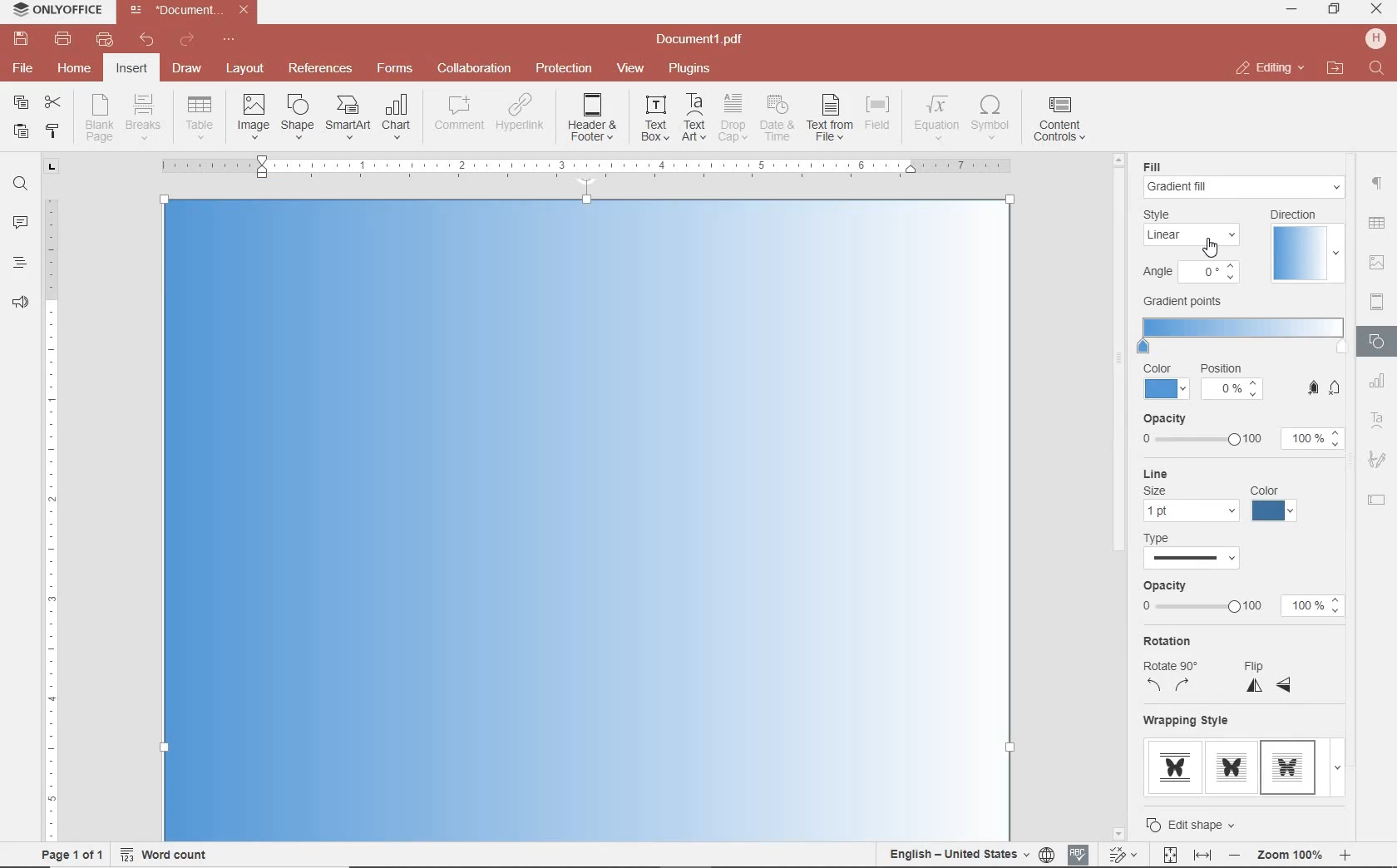 The width and height of the screenshot is (1397, 868). I want to click on collaboration, so click(474, 69).